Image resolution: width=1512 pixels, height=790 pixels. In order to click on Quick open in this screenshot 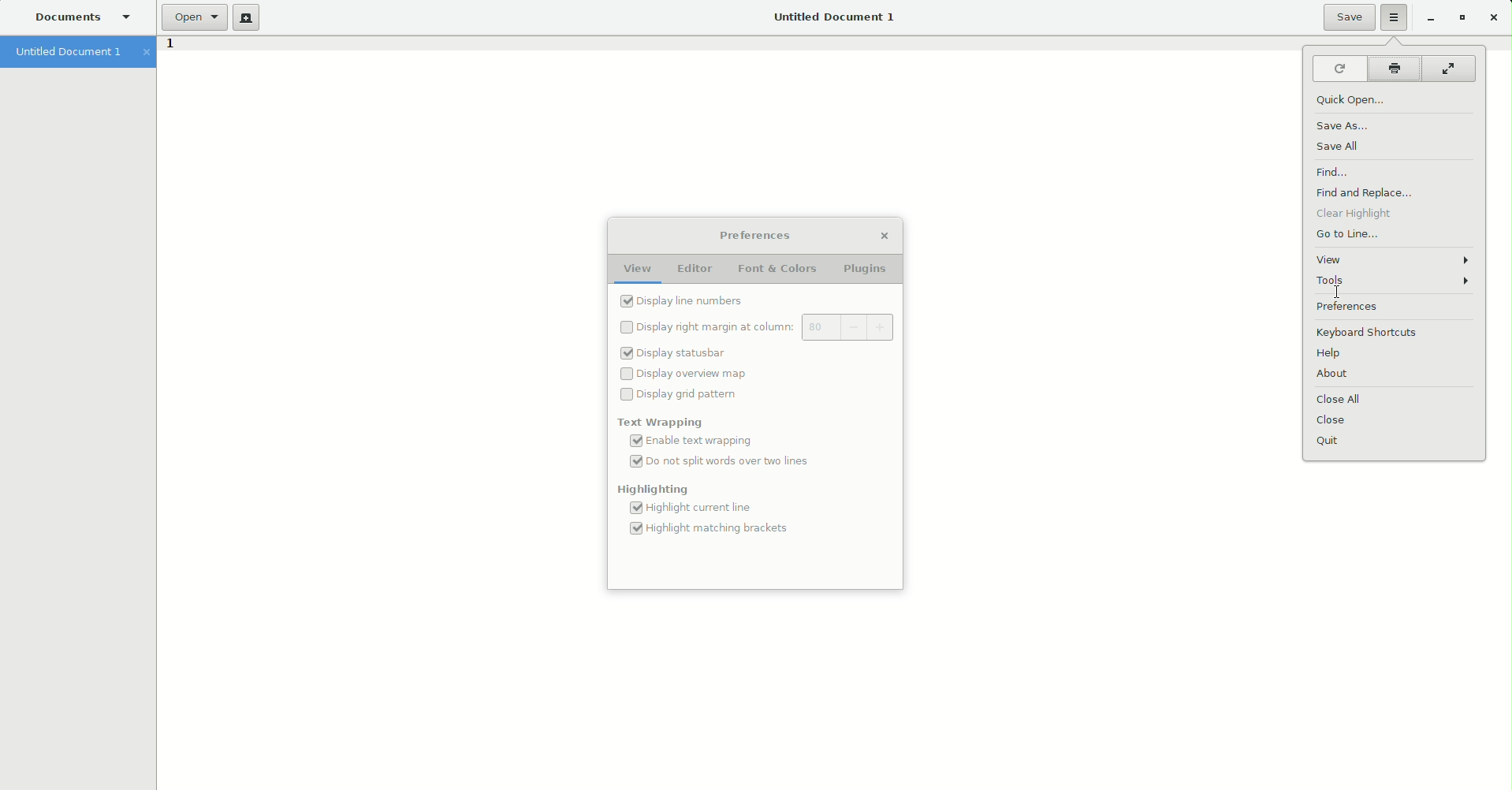, I will do `click(1350, 99)`.